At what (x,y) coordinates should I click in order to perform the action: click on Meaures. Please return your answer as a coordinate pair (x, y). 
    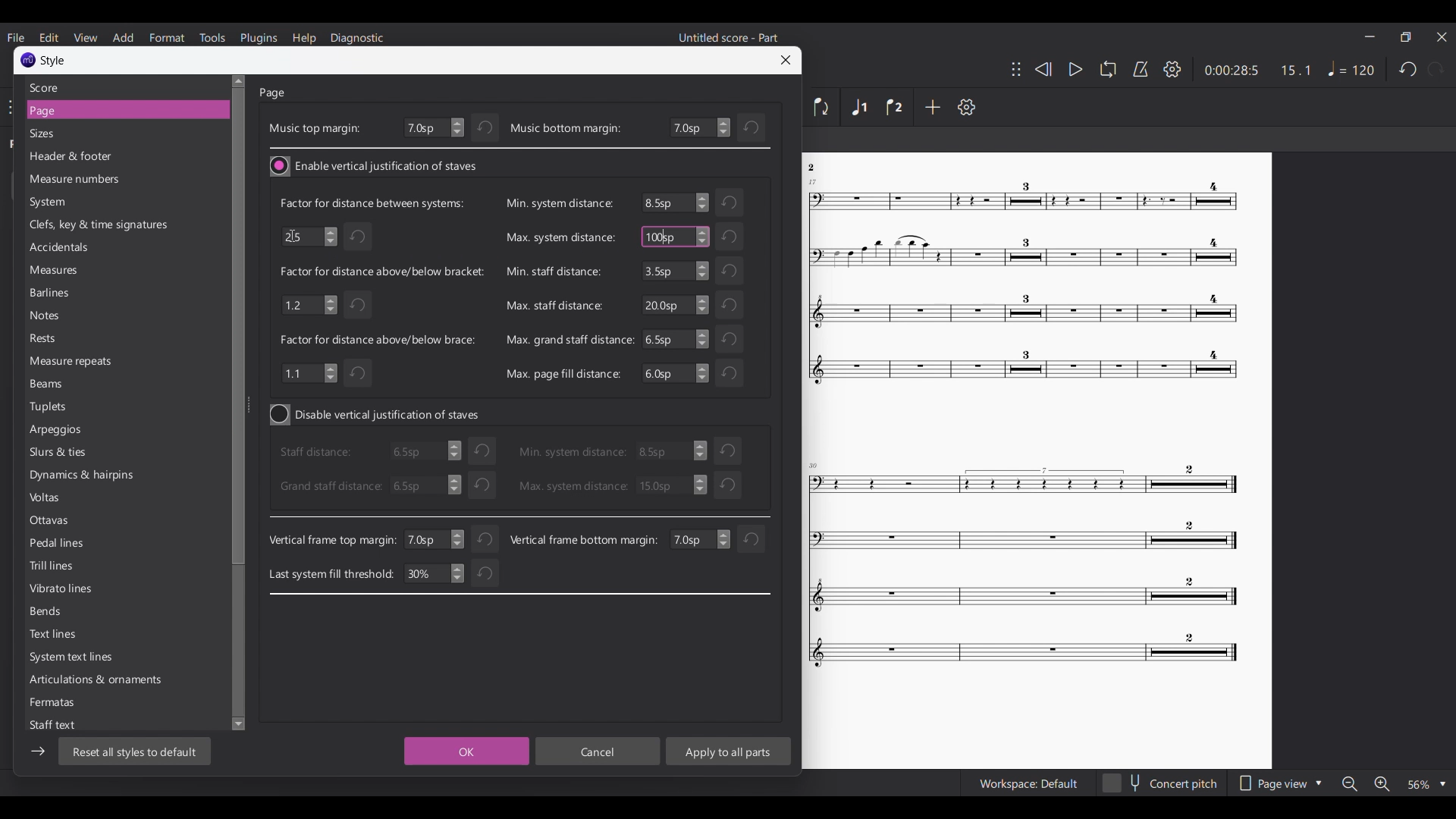
    Looking at the image, I should click on (92, 273).